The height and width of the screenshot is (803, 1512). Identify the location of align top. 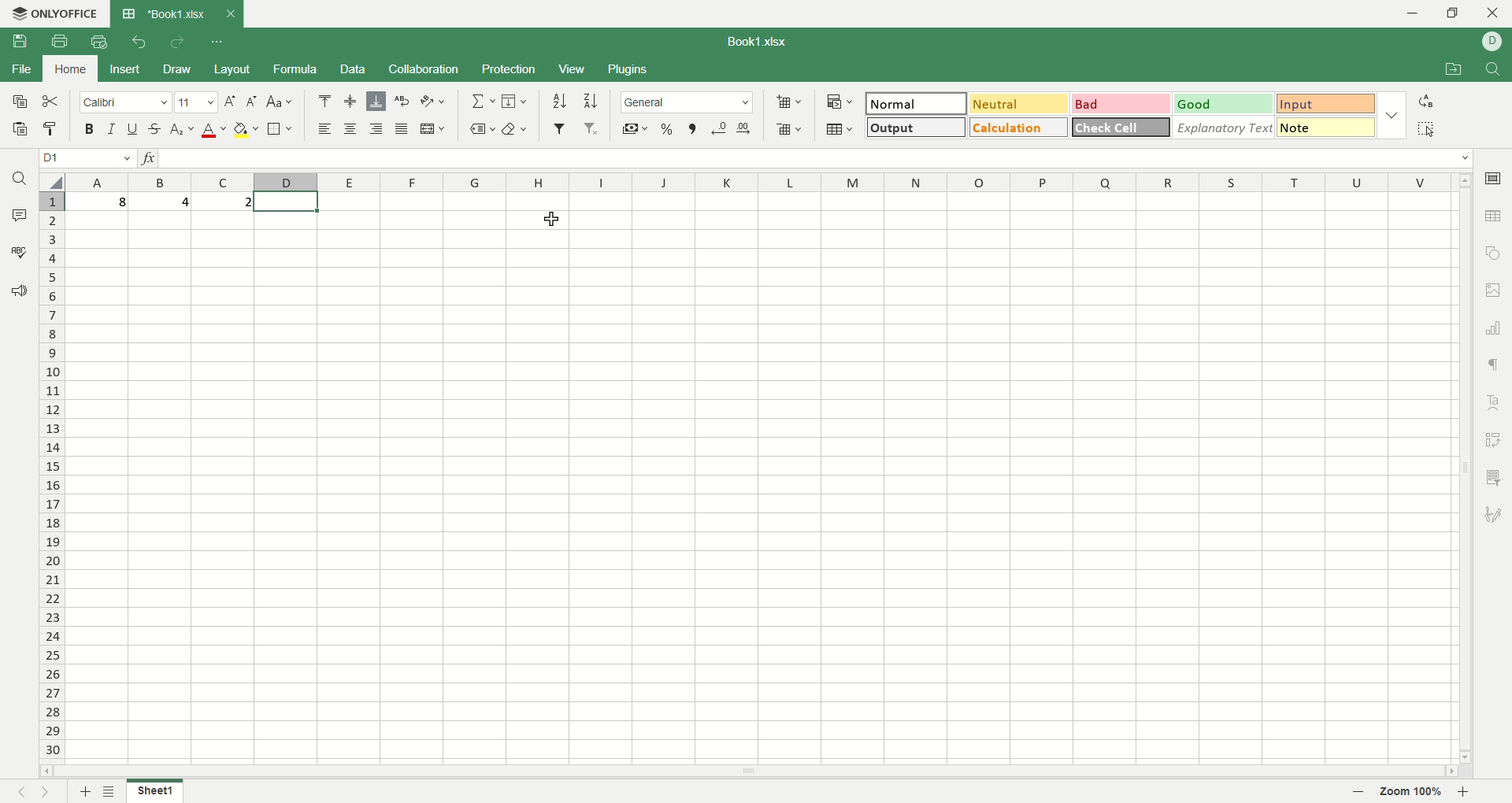
(324, 101).